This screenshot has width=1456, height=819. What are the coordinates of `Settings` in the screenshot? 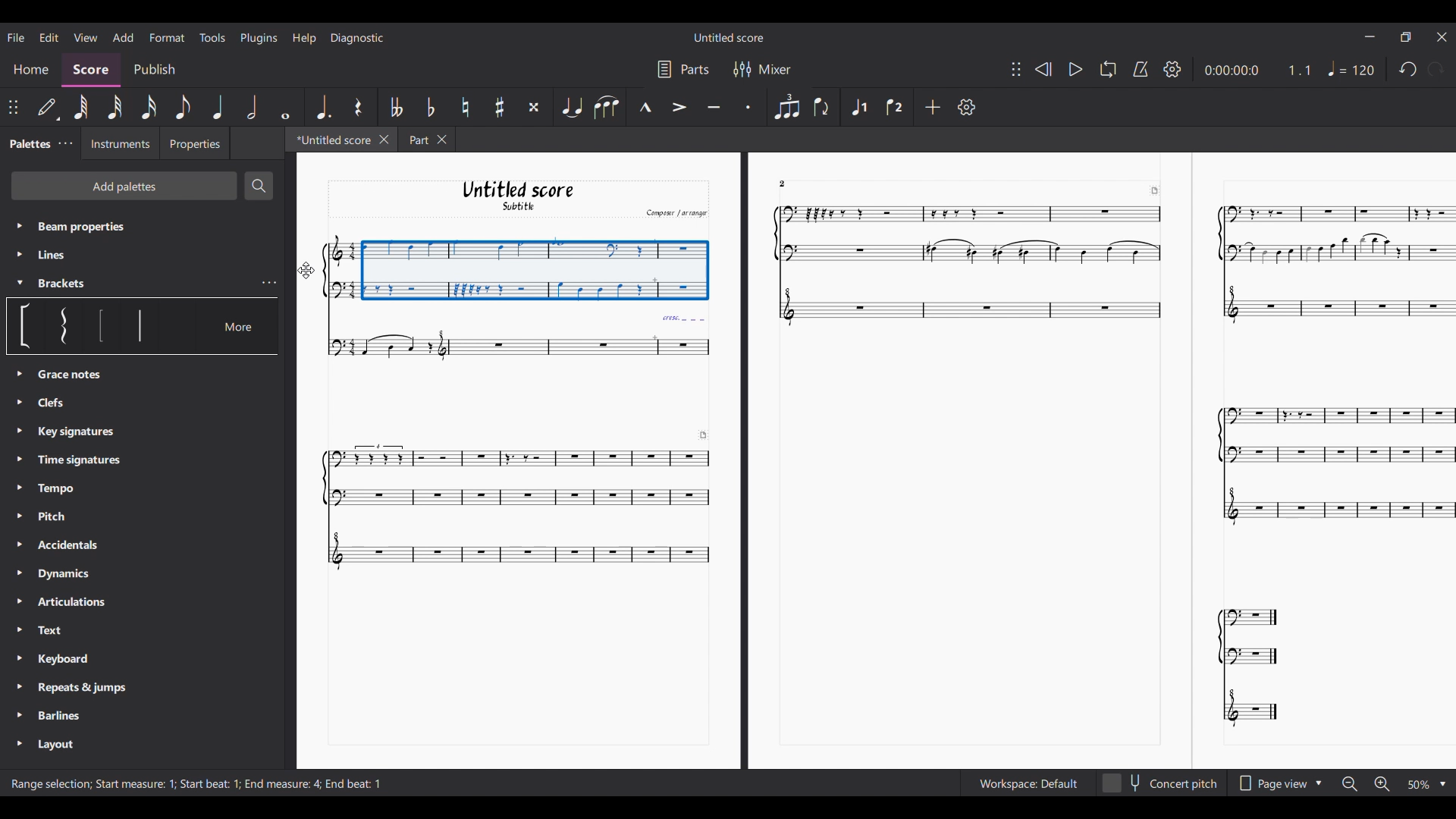 It's located at (1173, 69).